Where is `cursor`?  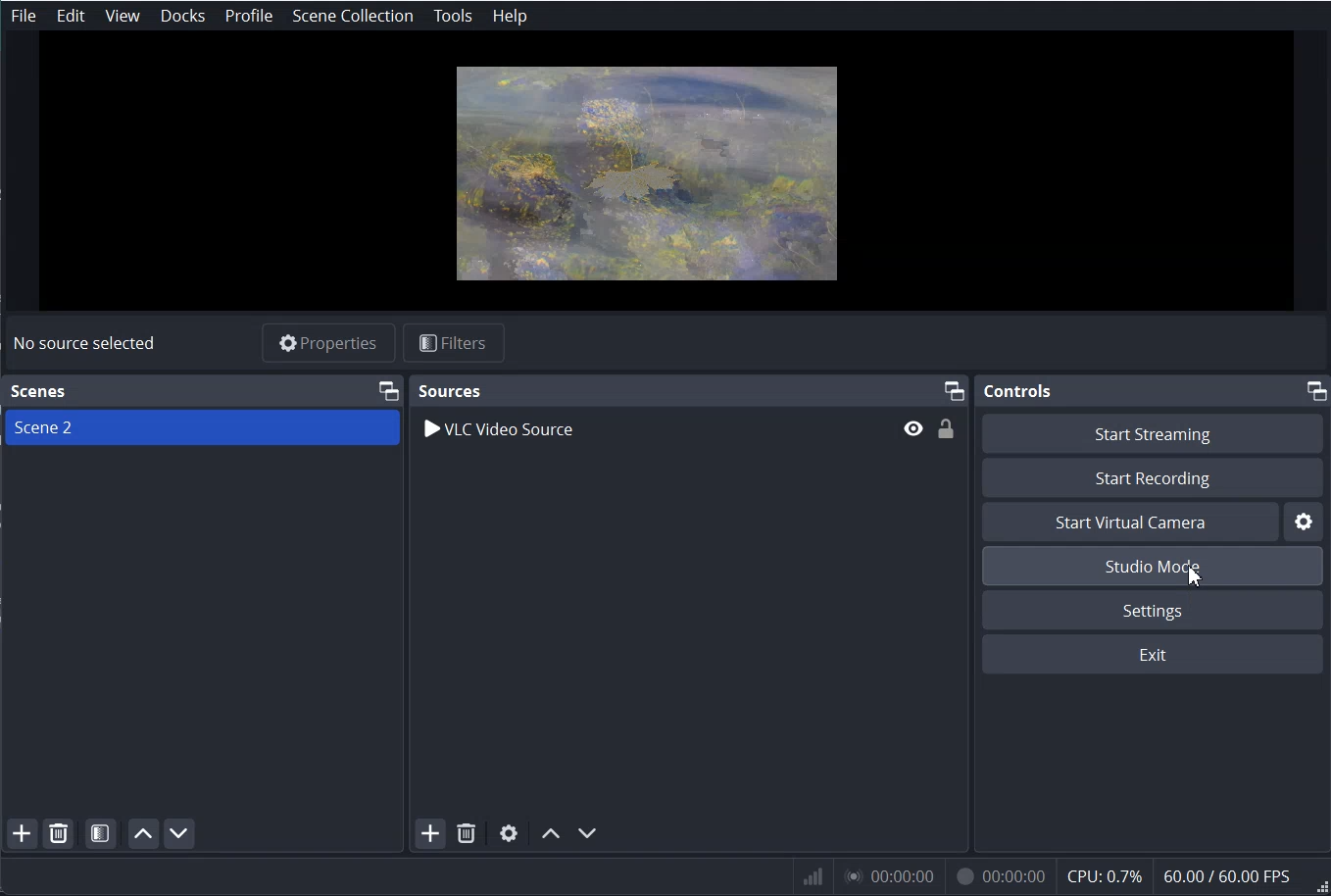 cursor is located at coordinates (1196, 579).